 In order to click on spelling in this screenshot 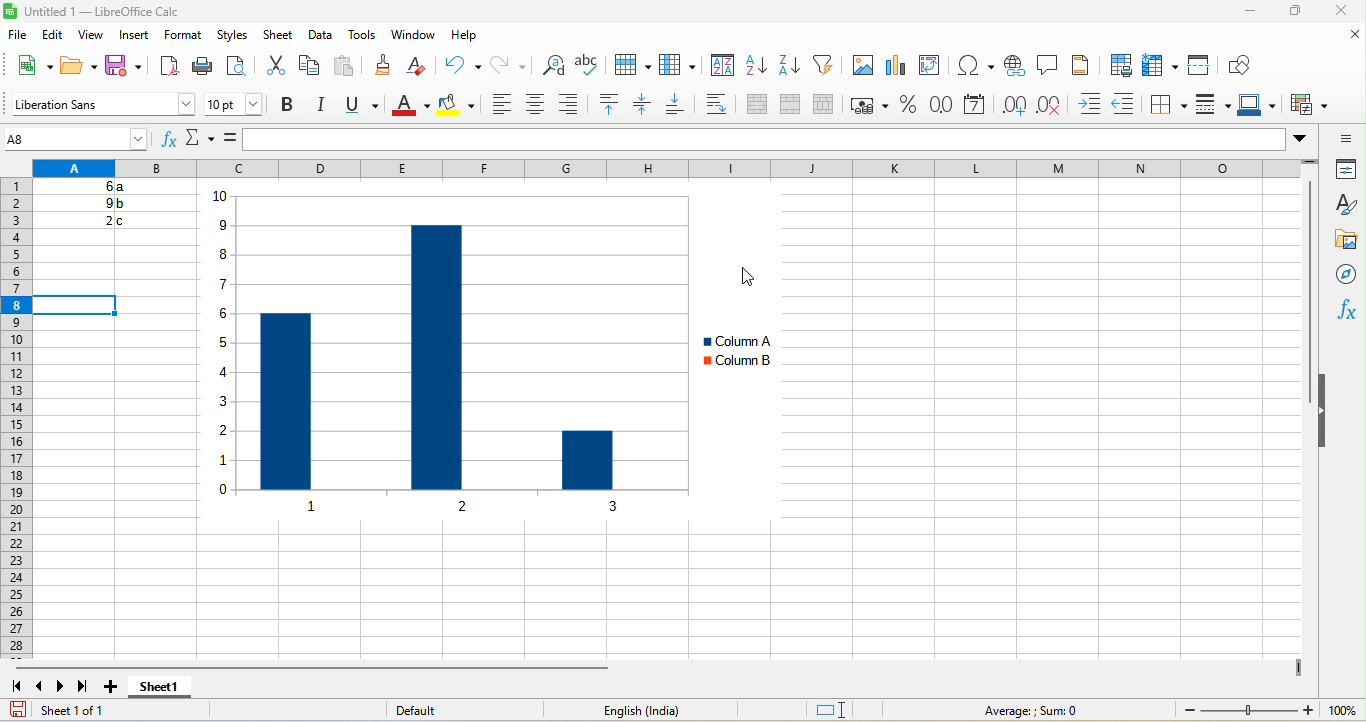, I will do `click(588, 69)`.